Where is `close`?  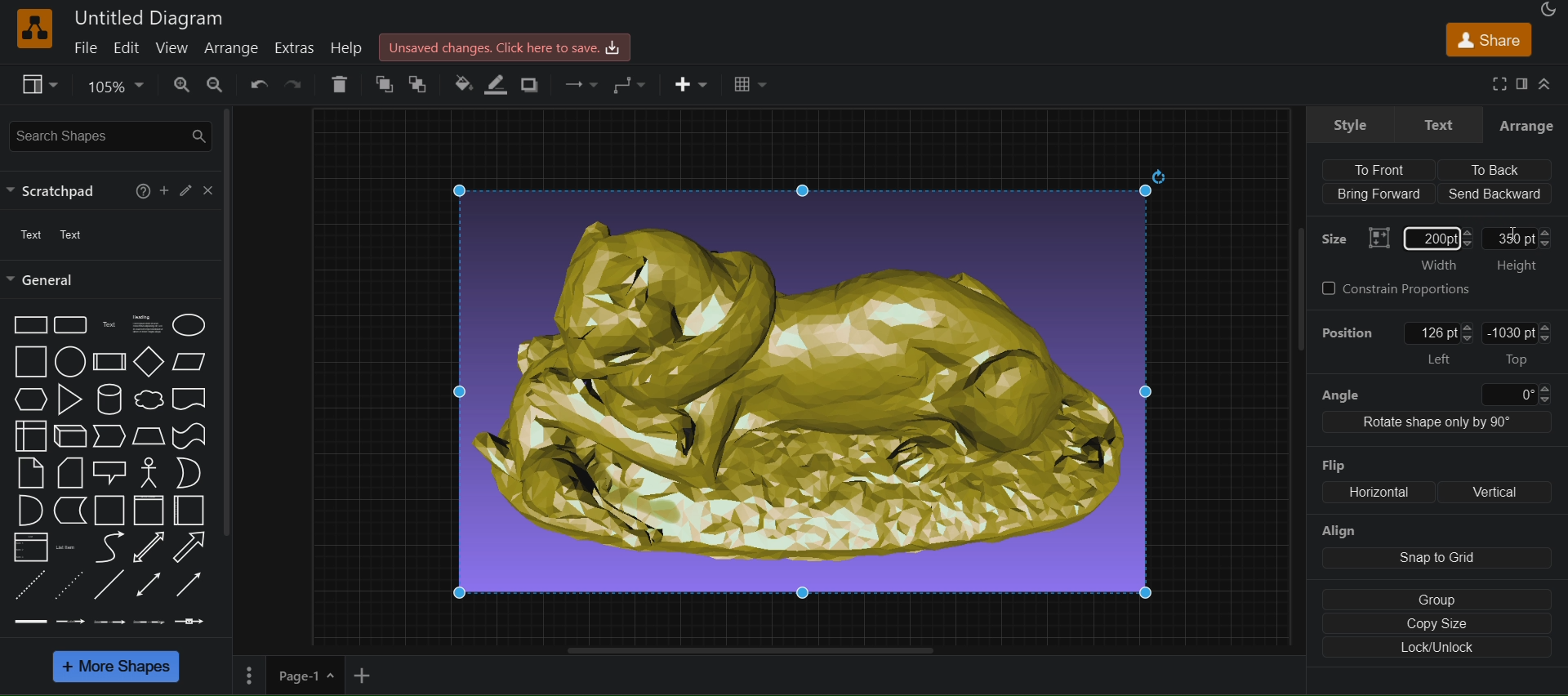
close is located at coordinates (209, 190).